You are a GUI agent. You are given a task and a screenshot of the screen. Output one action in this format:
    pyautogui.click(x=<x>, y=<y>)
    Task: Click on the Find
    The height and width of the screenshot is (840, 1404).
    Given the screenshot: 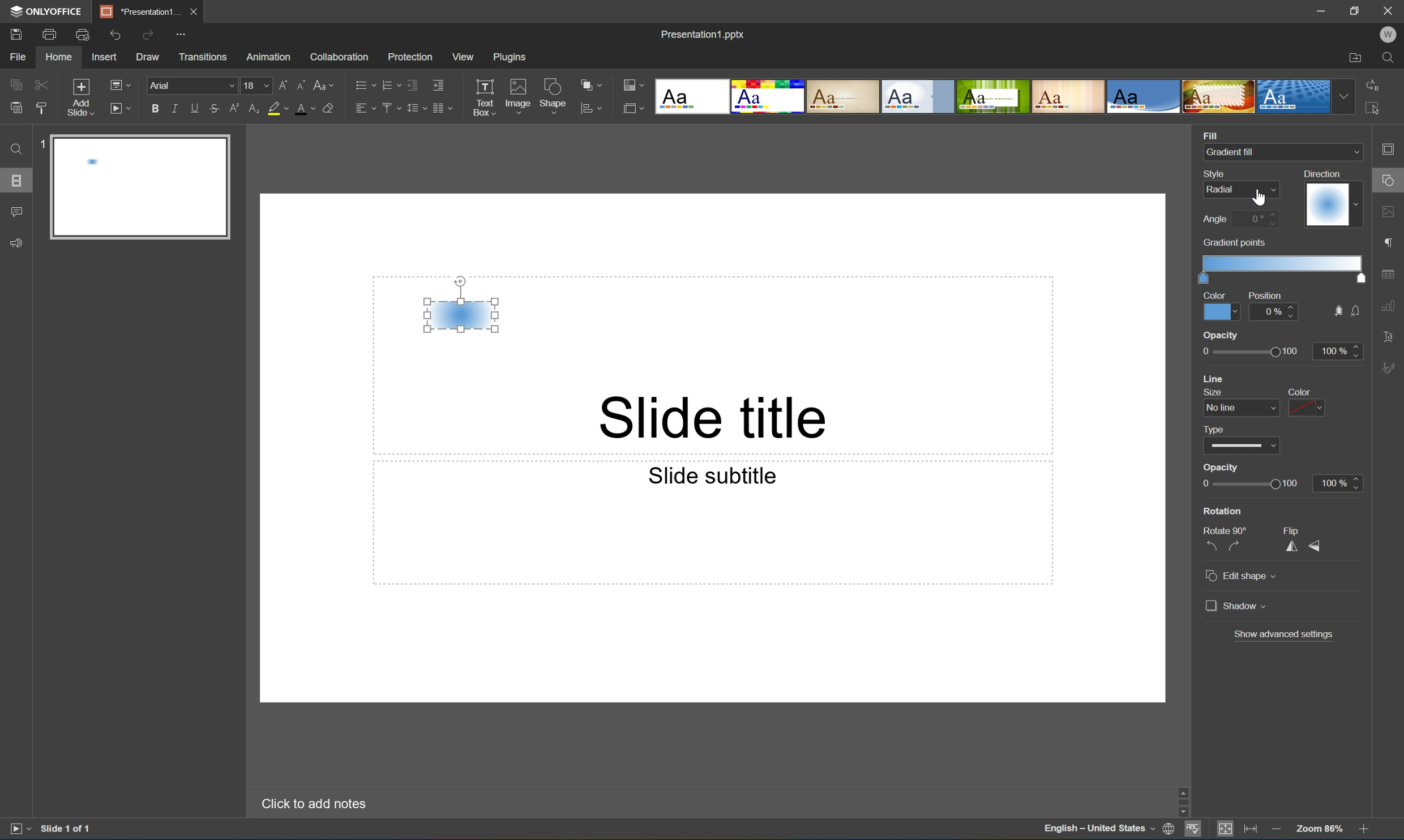 What is the action you would take?
    pyautogui.click(x=14, y=149)
    